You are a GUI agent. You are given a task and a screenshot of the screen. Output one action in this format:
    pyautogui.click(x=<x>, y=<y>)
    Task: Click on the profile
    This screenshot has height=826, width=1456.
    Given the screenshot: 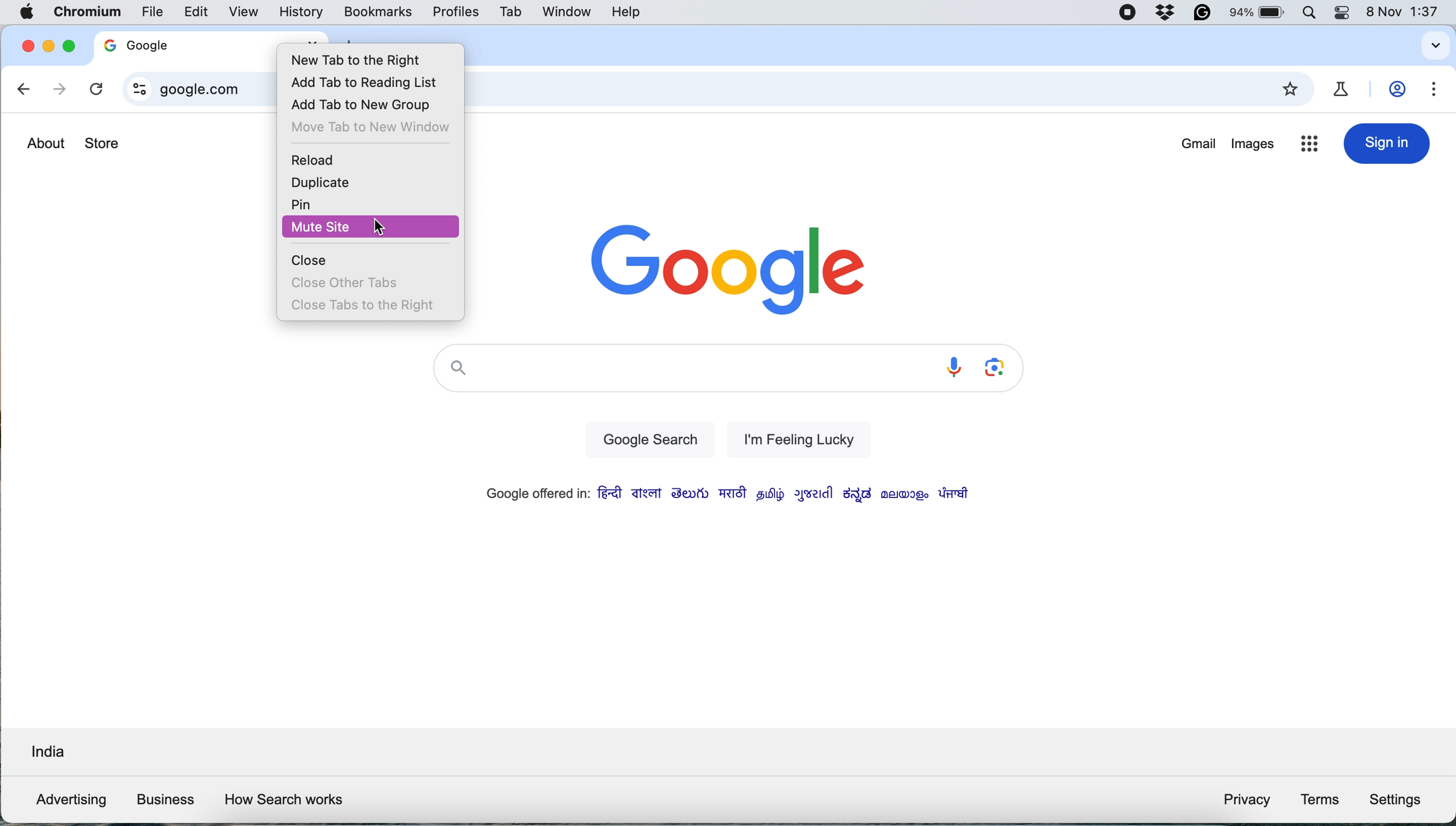 What is the action you would take?
    pyautogui.click(x=1400, y=90)
    